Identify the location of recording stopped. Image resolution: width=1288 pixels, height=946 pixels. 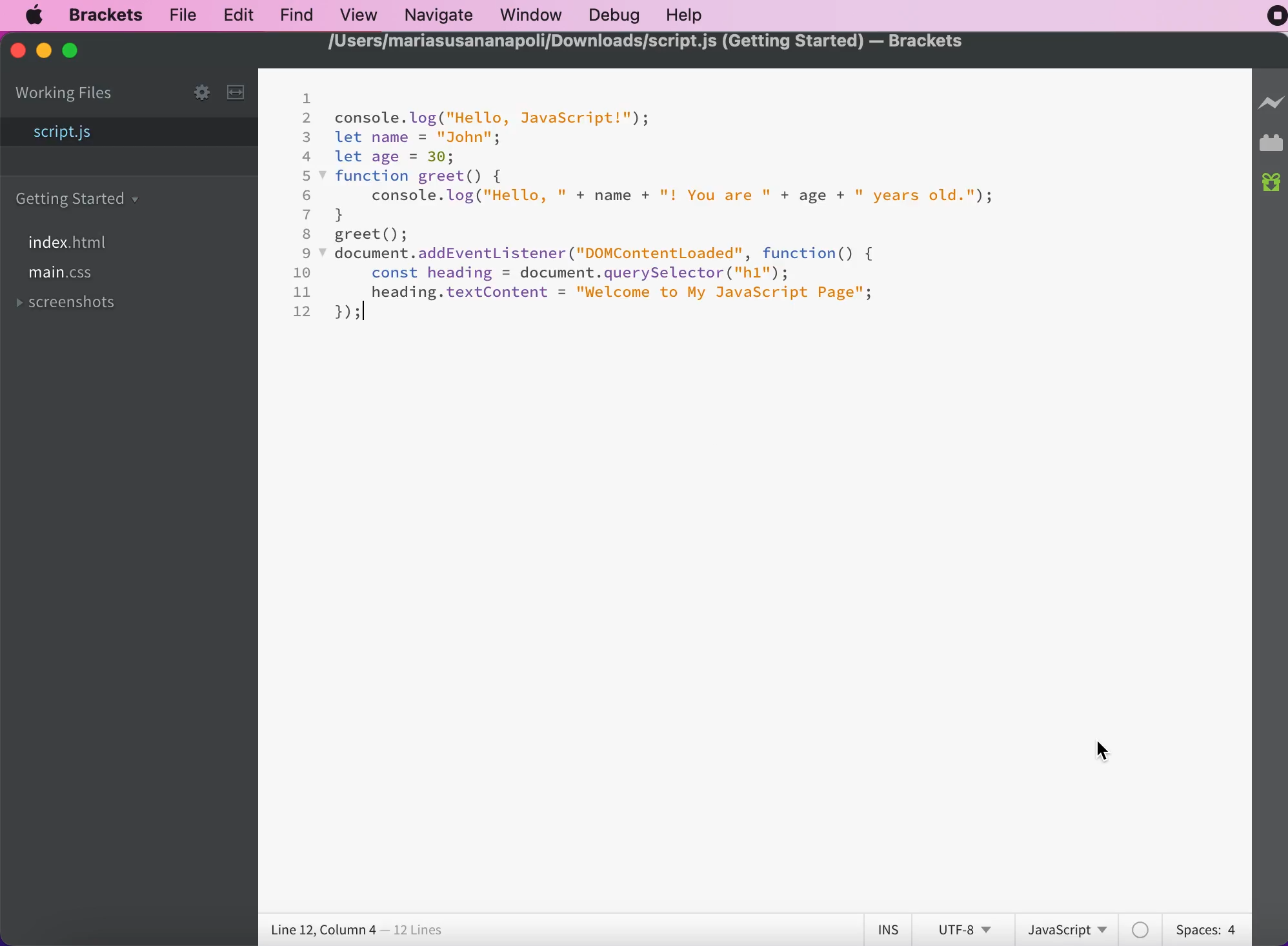
(1269, 19).